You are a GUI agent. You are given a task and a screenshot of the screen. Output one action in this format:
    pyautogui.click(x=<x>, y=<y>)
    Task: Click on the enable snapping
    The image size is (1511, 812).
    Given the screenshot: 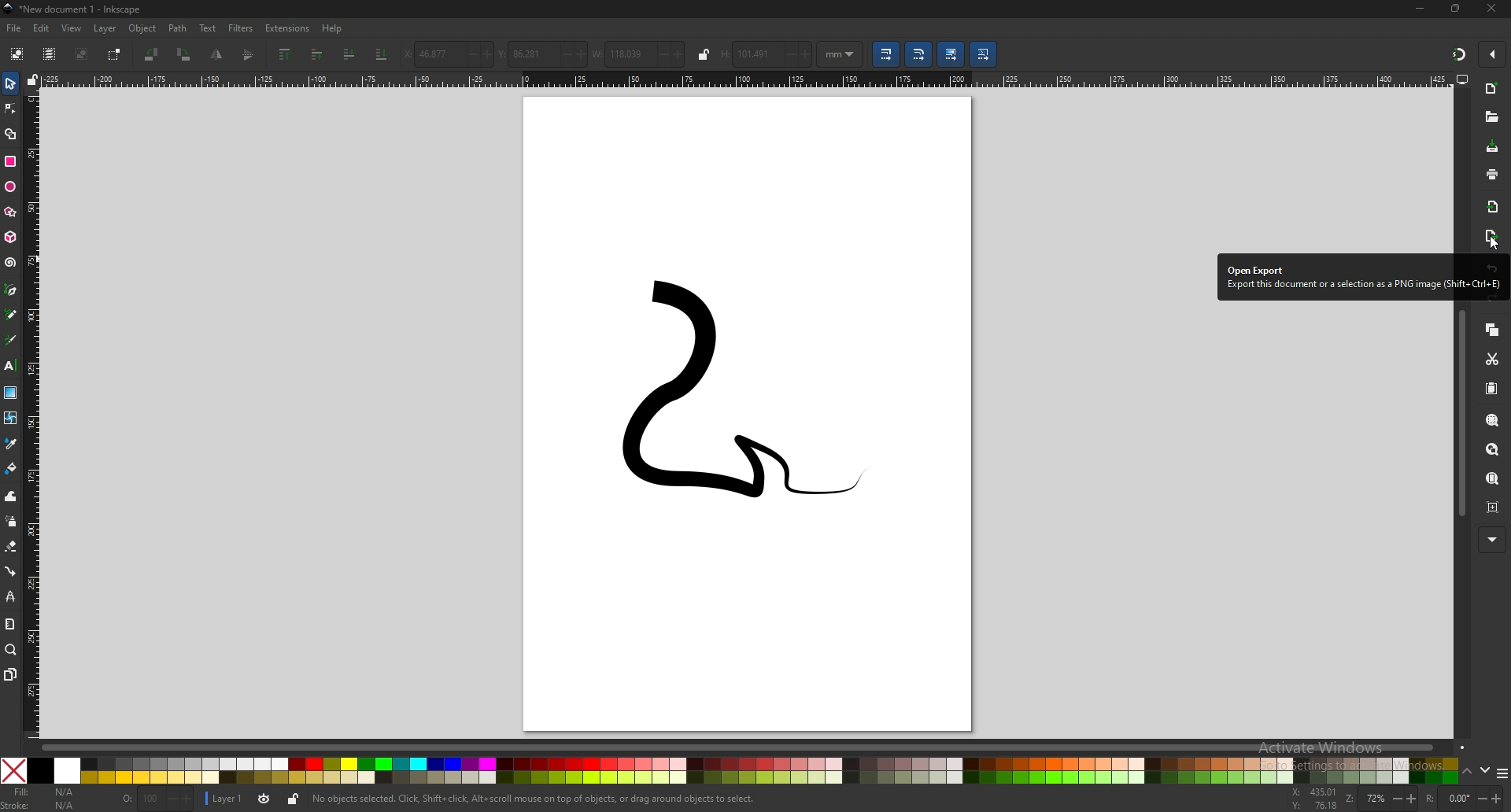 What is the action you would take?
    pyautogui.click(x=1494, y=54)
    